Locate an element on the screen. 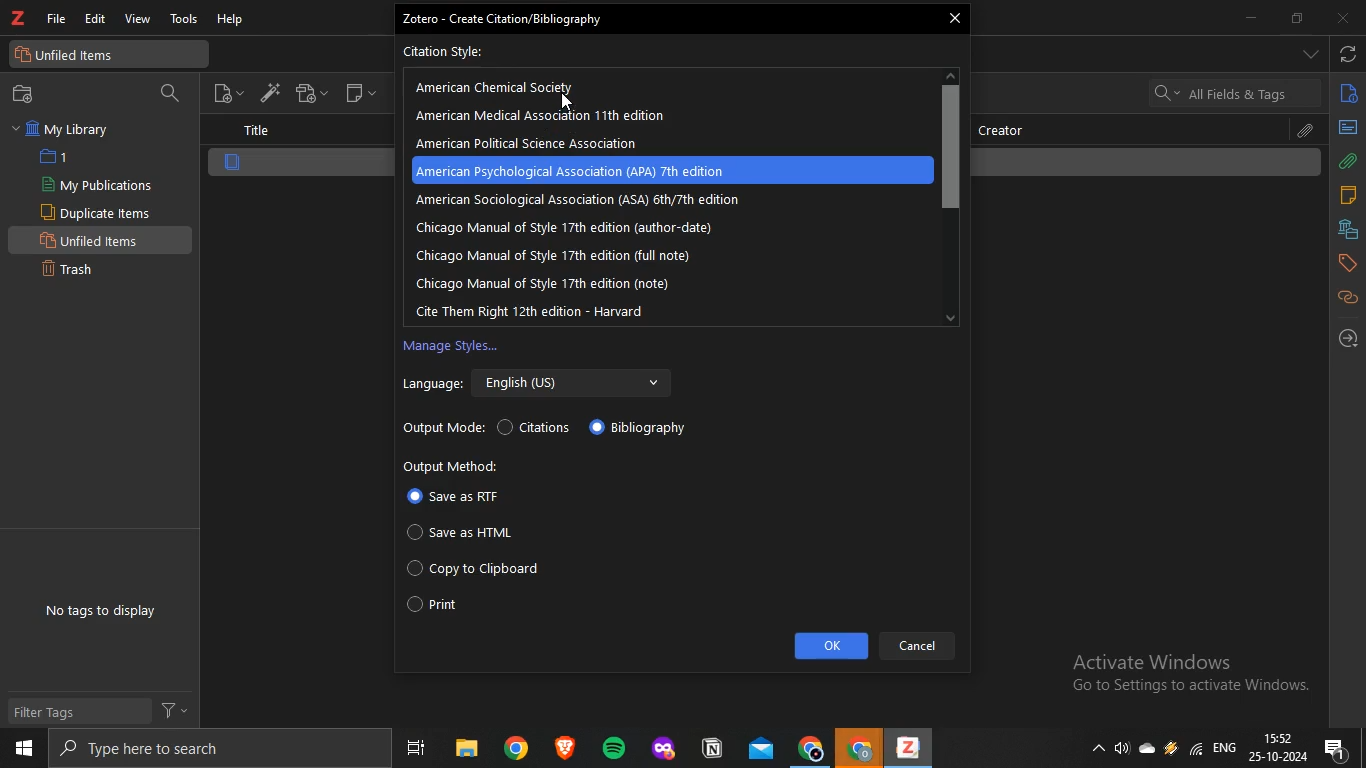  view is located at coordinates (136, 20).